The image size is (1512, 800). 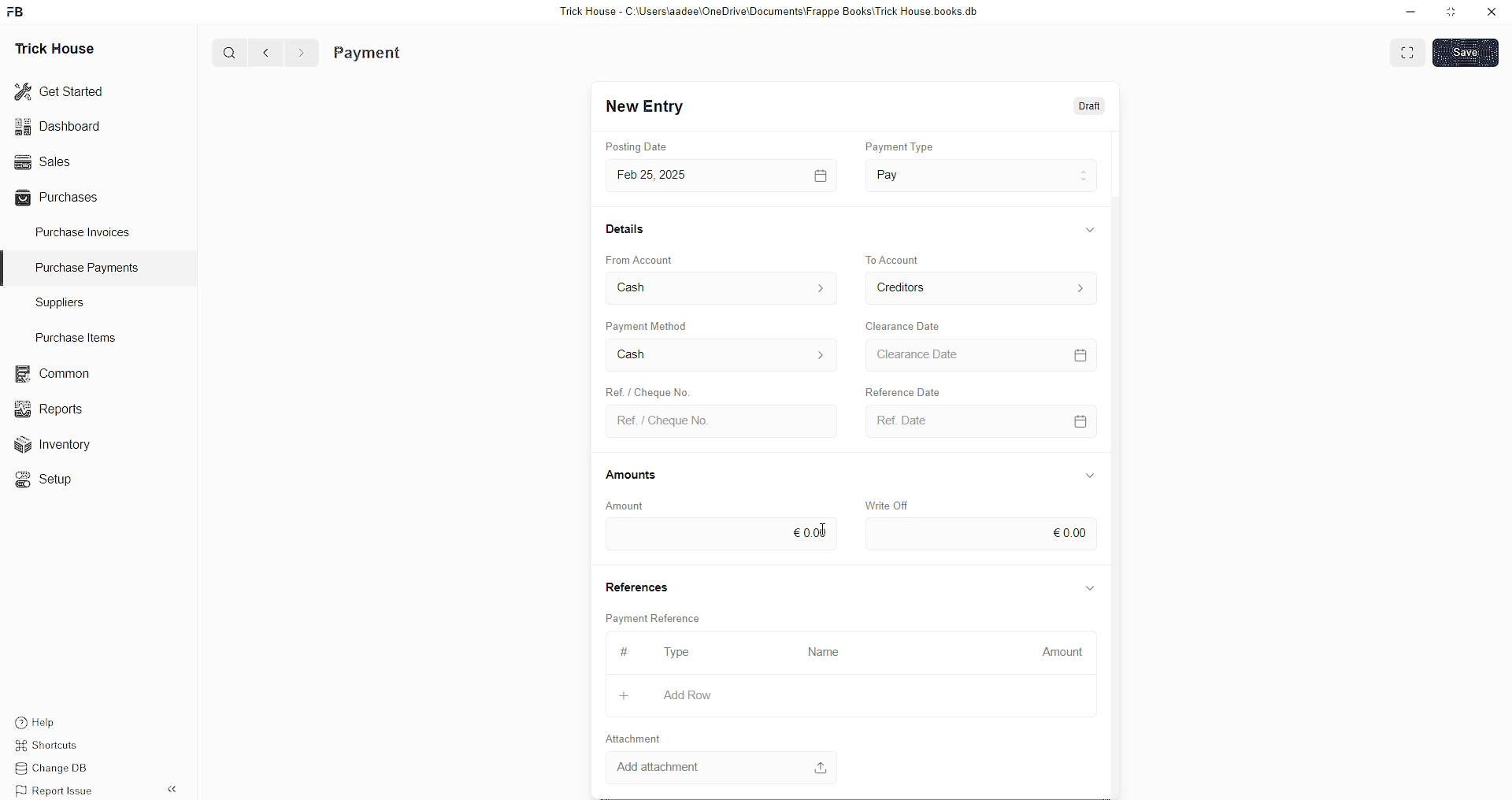 I want to click on €0.00, so click(x=1063, y=529).